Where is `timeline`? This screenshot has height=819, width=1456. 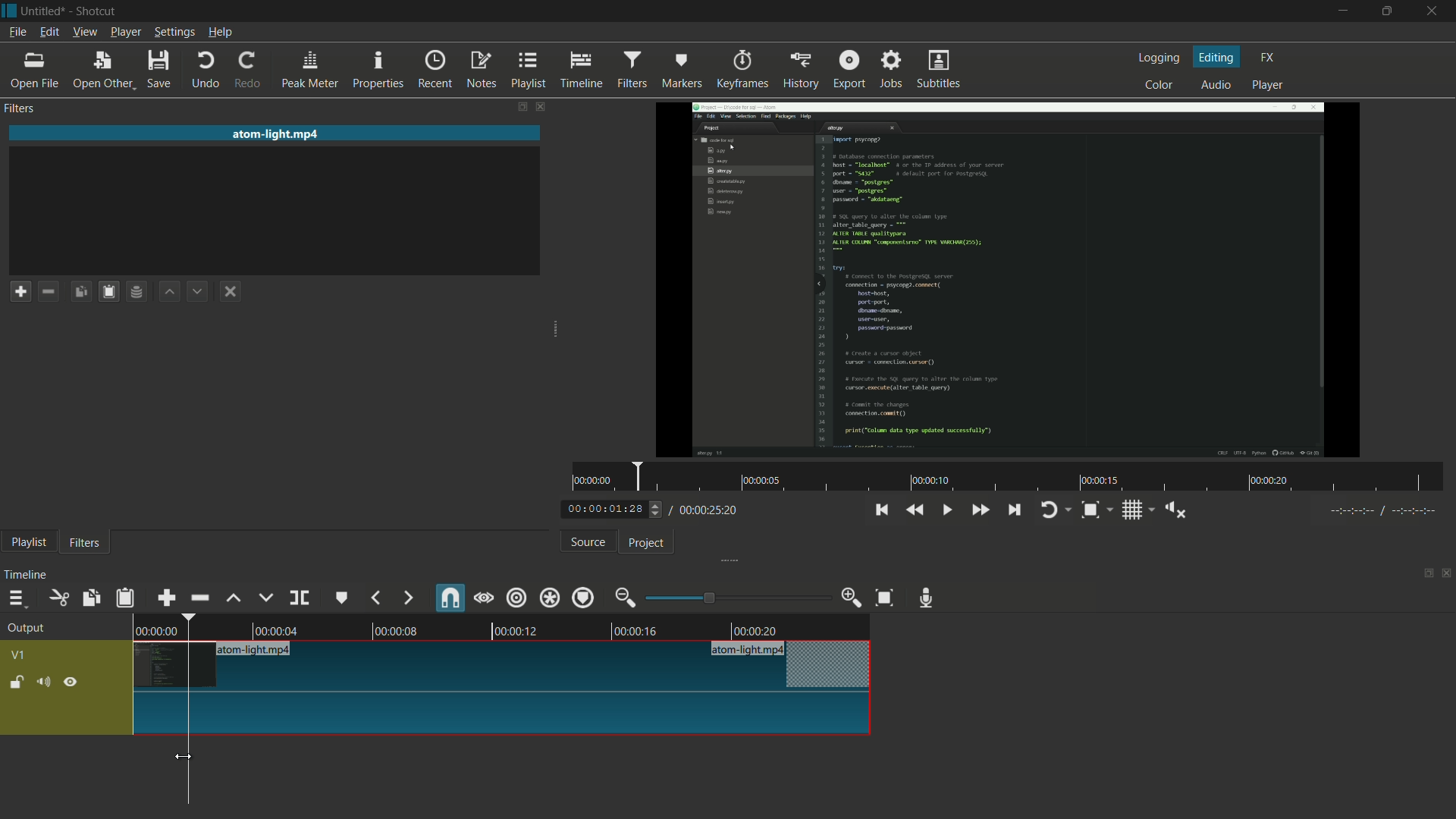
timeline is located at coordinates (28, 575).